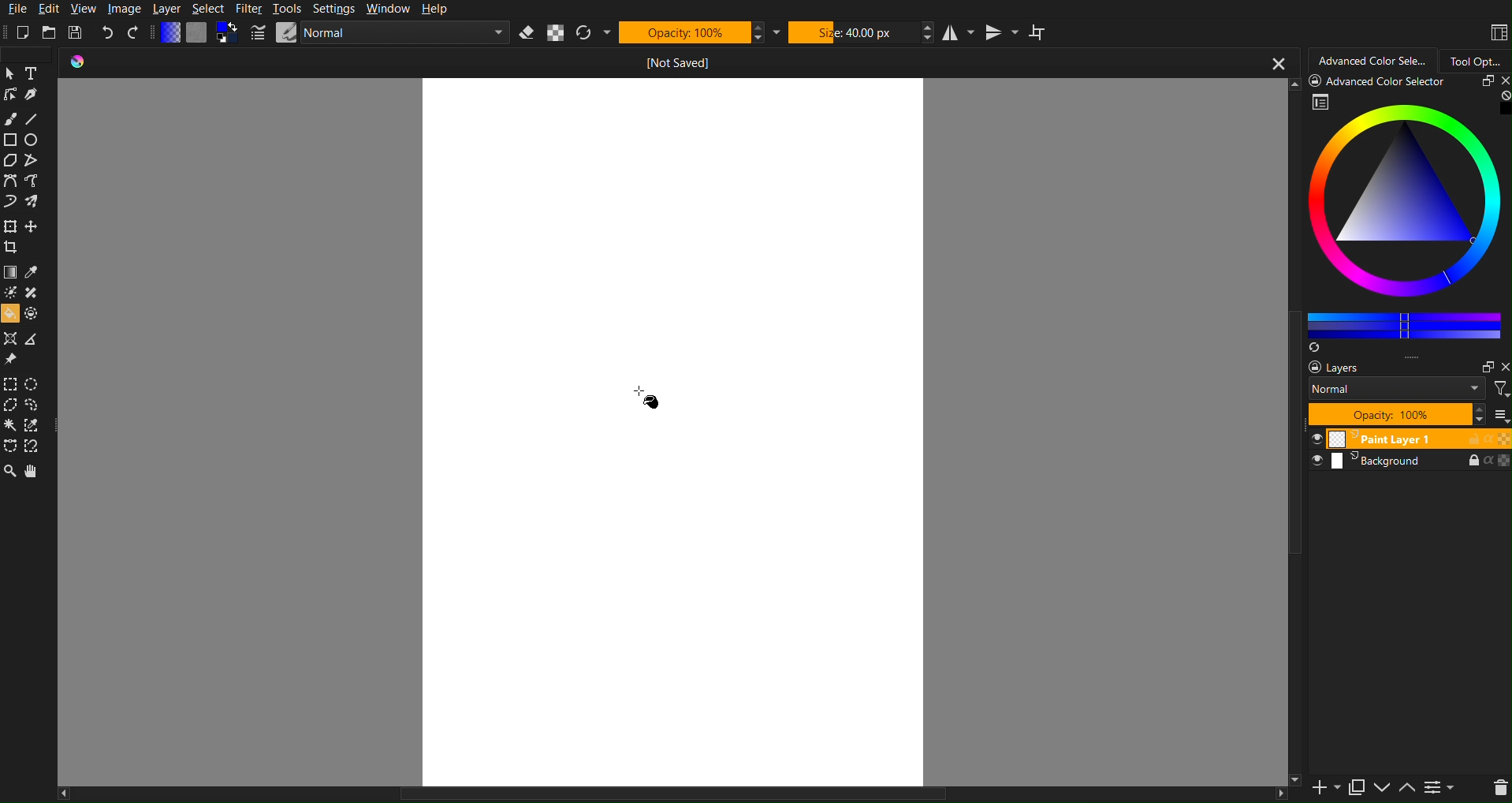  What do you see at coordinates (557, 32) in the screenshot?
I see `Alpha` at bounding box center [557, 32].